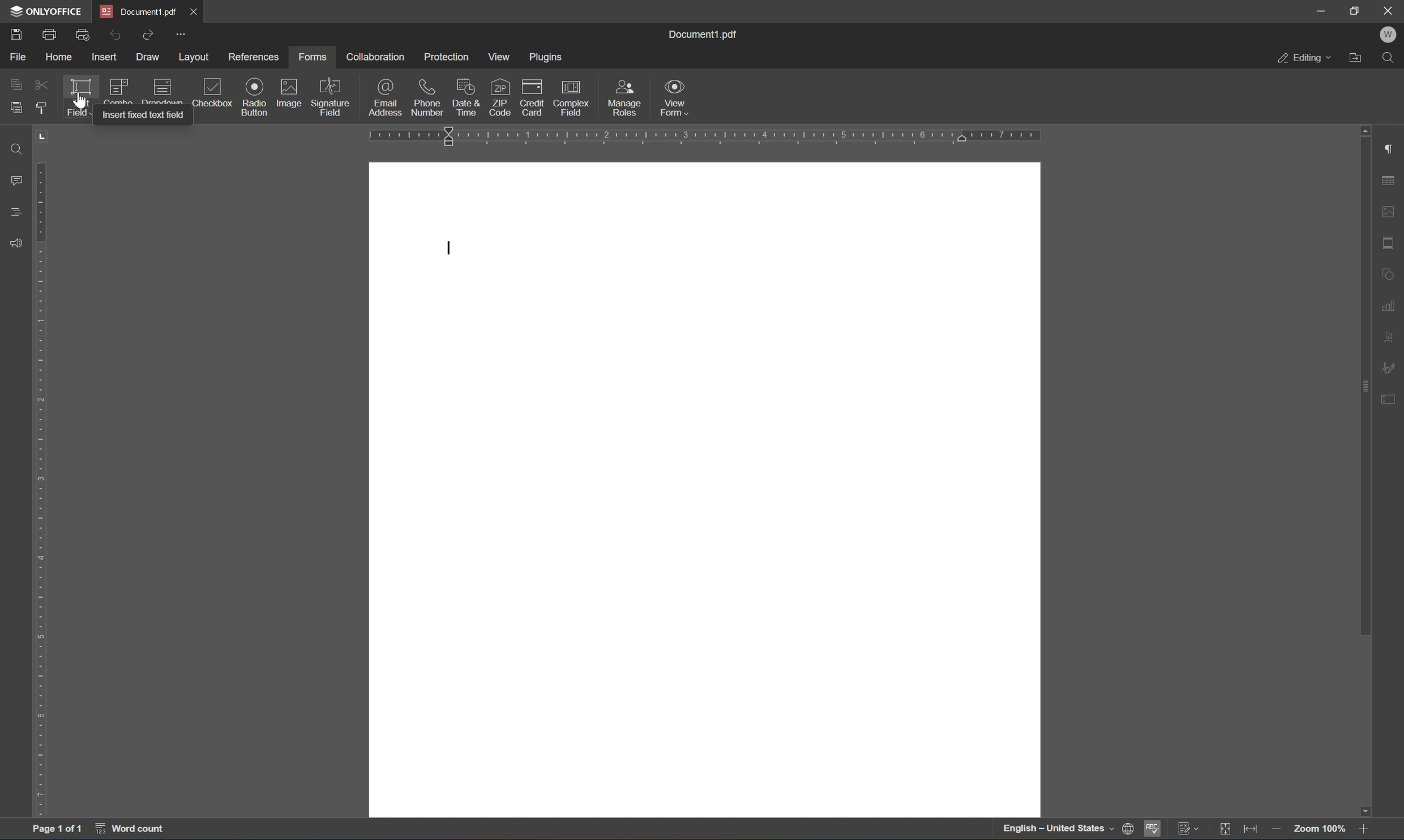  I want to click on text art settings, so click(1392, 340).